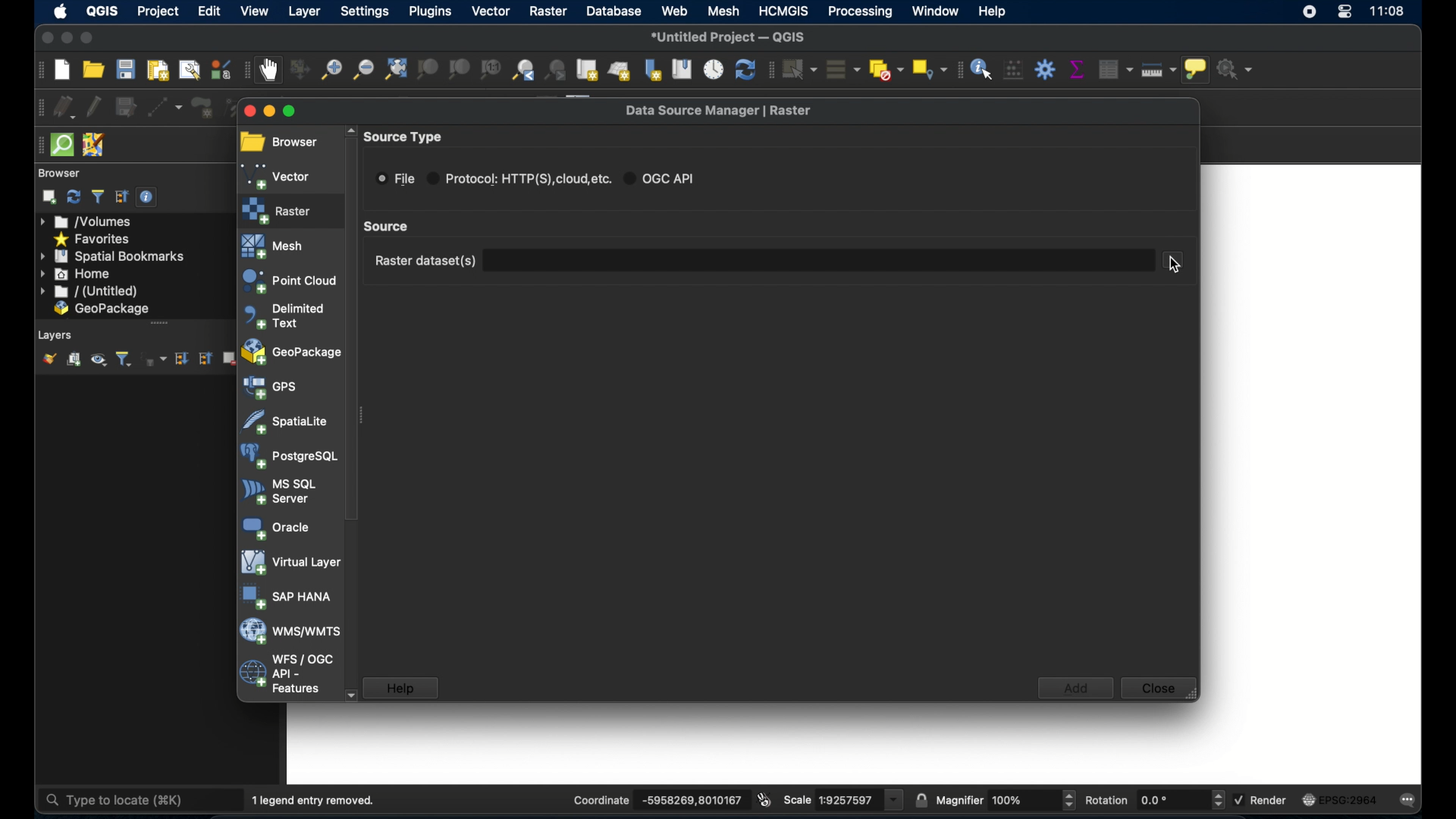 The image size is (1456, 819). Describe the element at coordinates (799, 68) in the screenshot. I see `select features by area or single click` at that location.